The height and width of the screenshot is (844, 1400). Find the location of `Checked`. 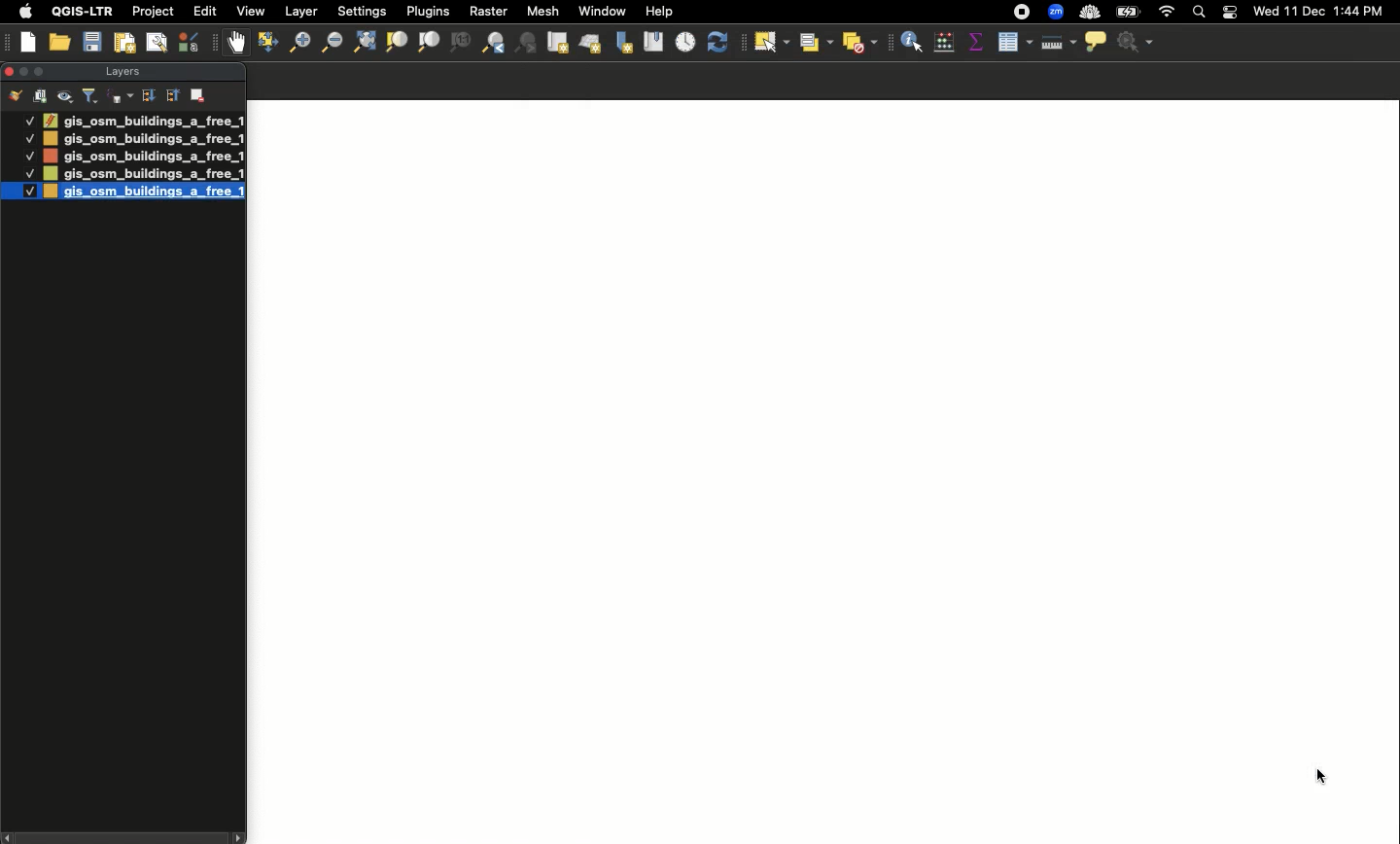

Checked is located at coordinates (29, 156).